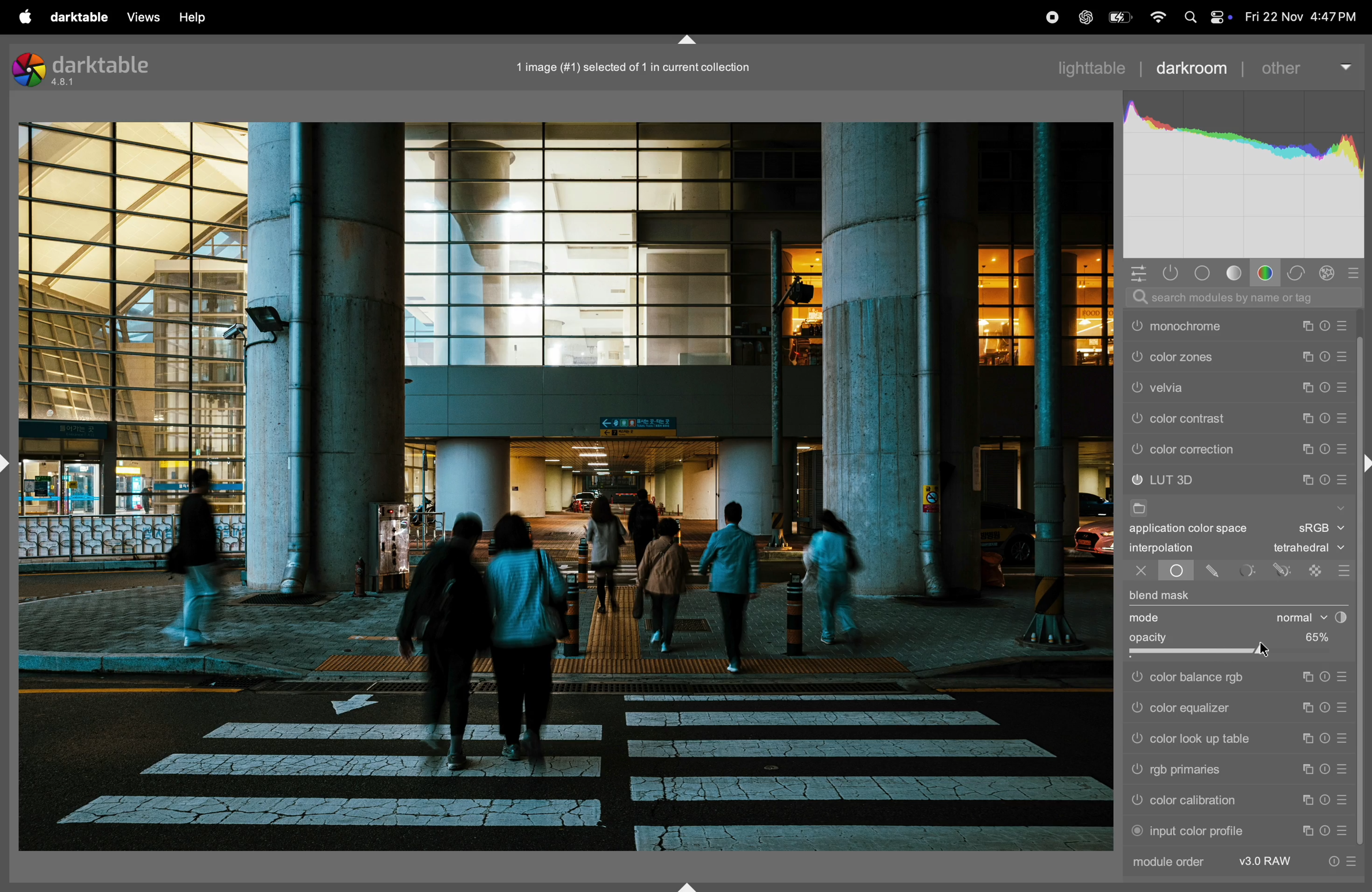 This screenshot has height=892, width=1372. Describe the element at coordinates (1315, 570) in the screenshot. I see `raster mask` at that location.